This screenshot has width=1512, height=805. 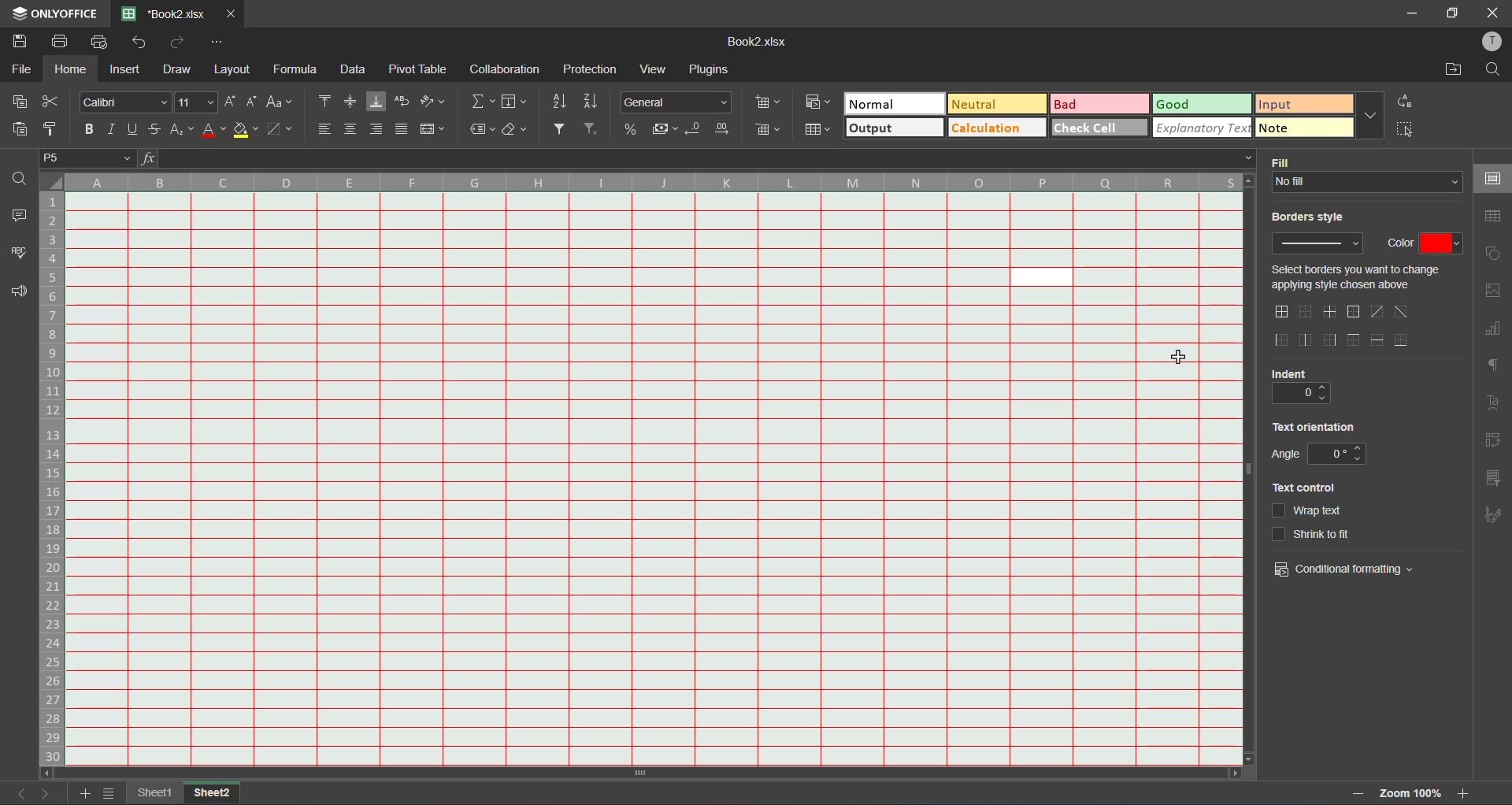 I want to click on No fill, so click(x=1366, y=181).